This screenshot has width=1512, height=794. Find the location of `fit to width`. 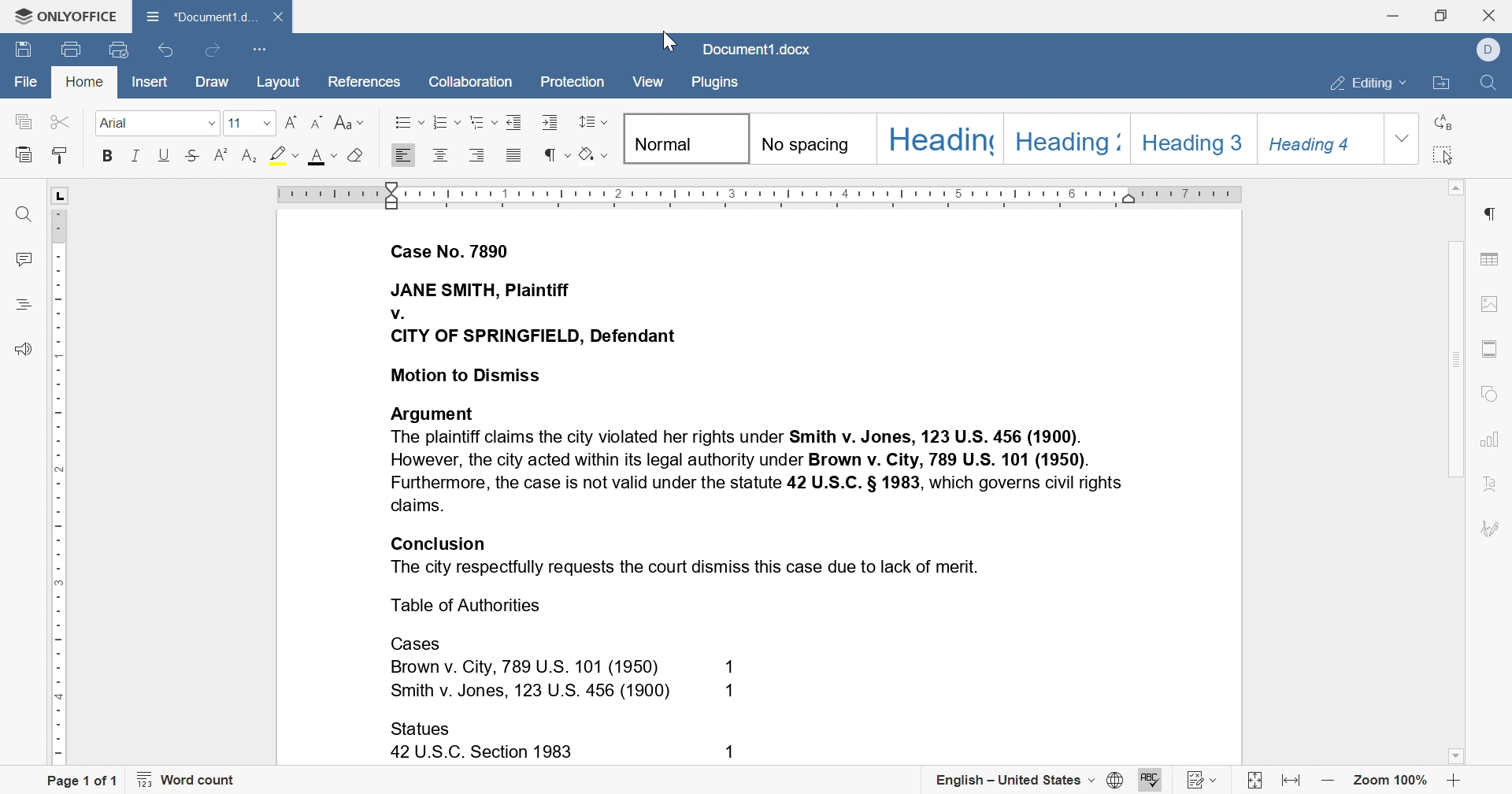

fit to width is located at coordinates (1291, 780).